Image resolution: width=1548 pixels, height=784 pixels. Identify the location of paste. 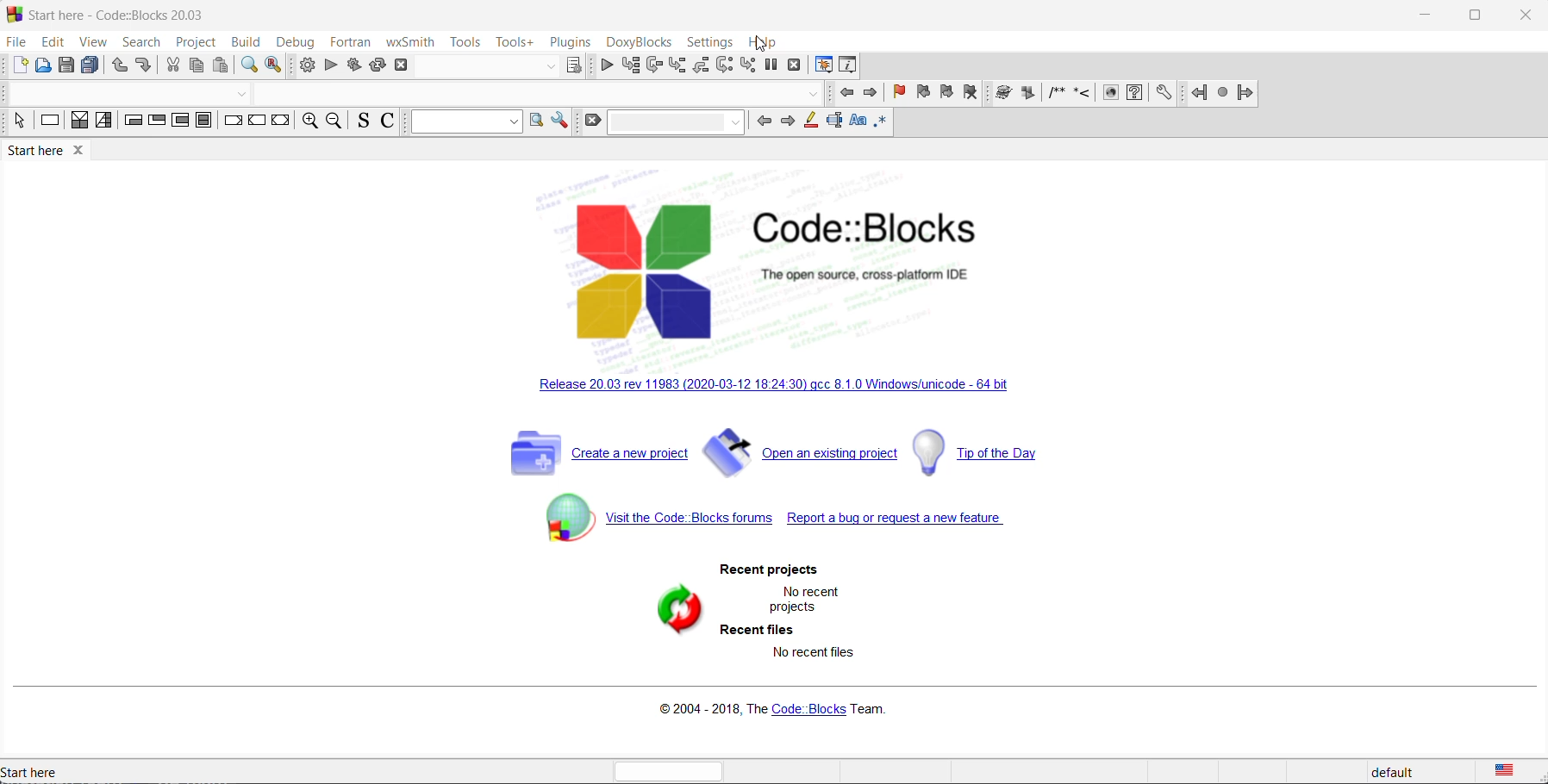
(222, 66).